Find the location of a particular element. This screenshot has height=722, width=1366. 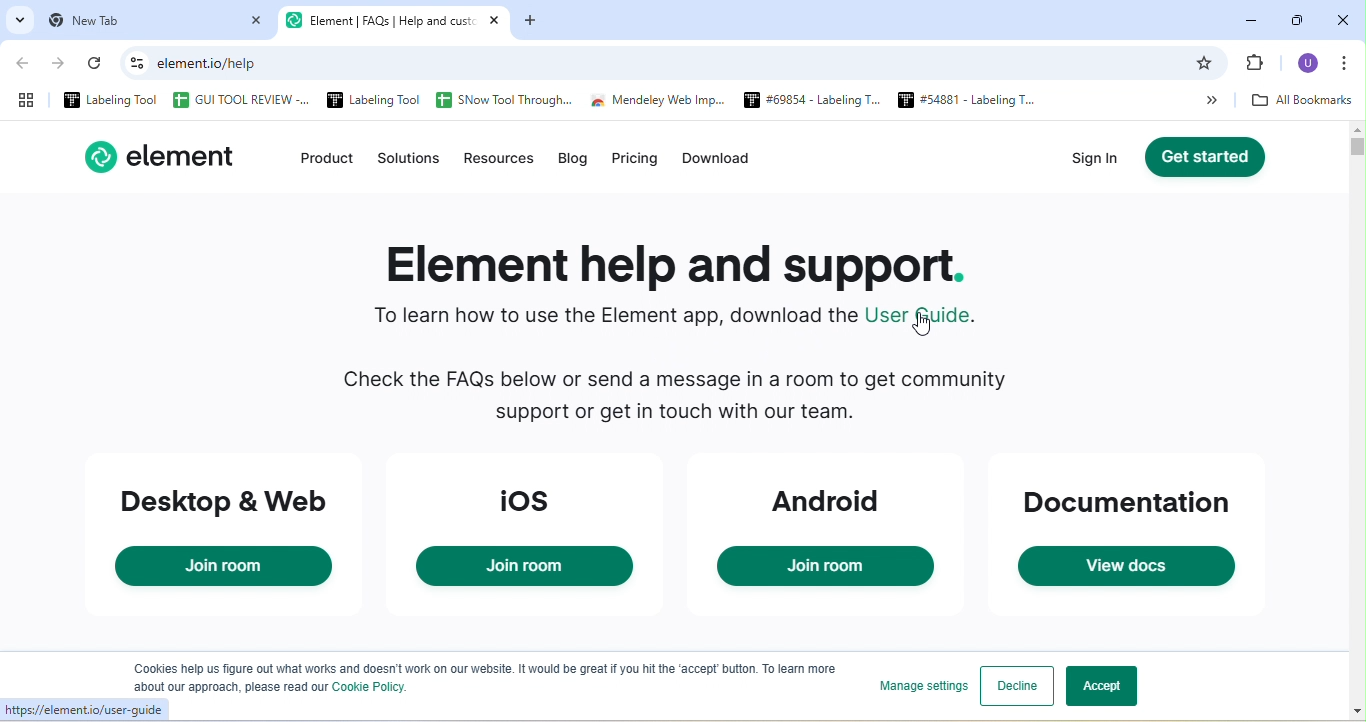

back is located at coordinates (27, 65).